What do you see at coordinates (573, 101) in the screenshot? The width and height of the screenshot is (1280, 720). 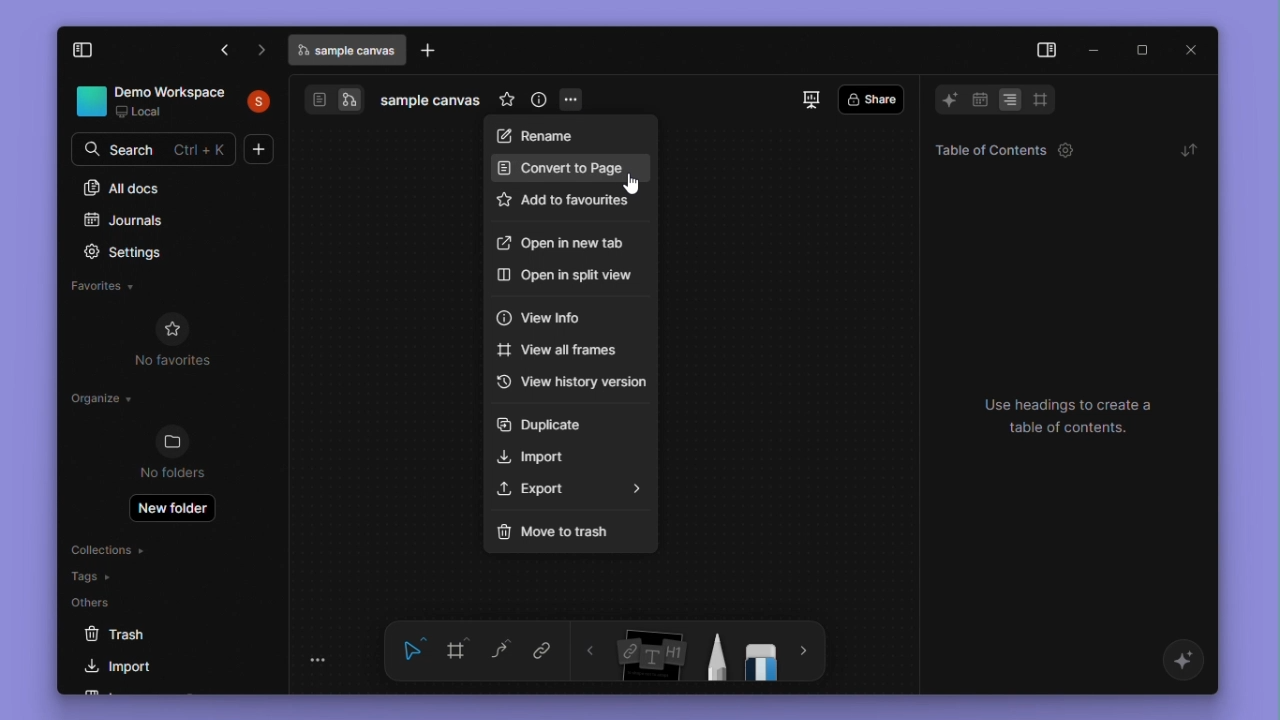 I see `more options` at bounding box center [573, 101].